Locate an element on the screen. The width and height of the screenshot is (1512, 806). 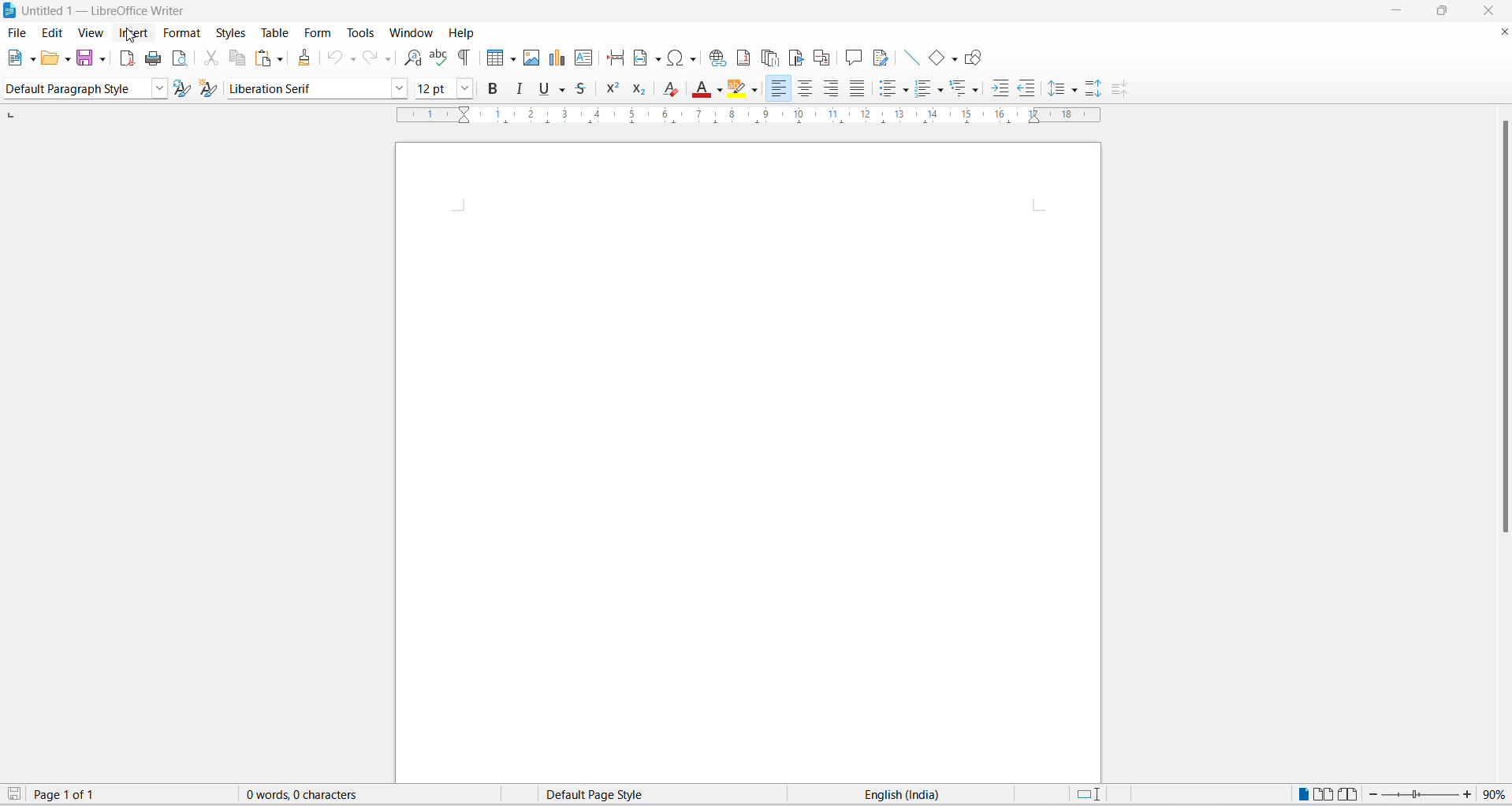
decrease paragraph spacing is located at coordinates (1121, 91).